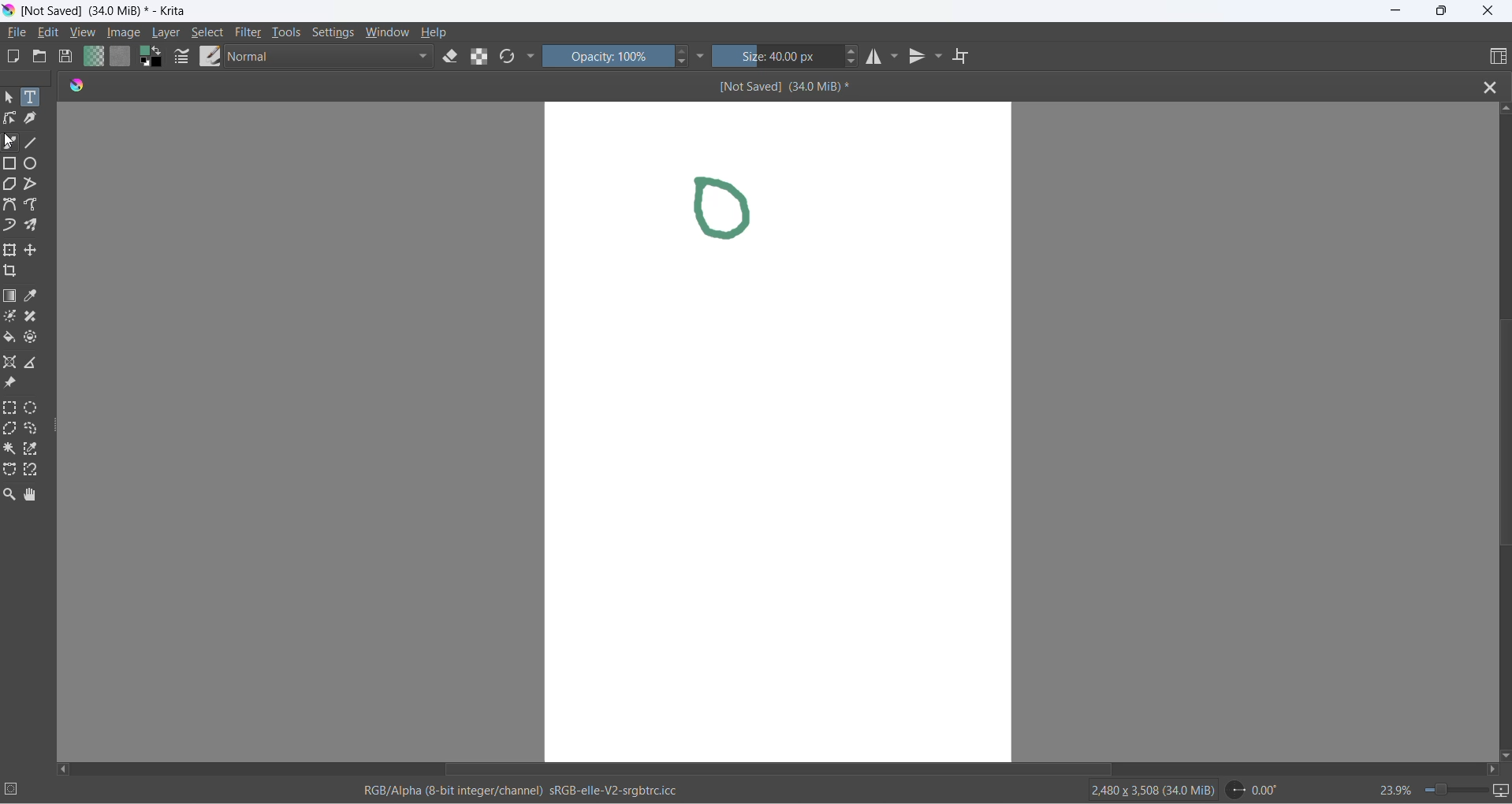  I want to click on freehand selection tool, so click(35, 429).